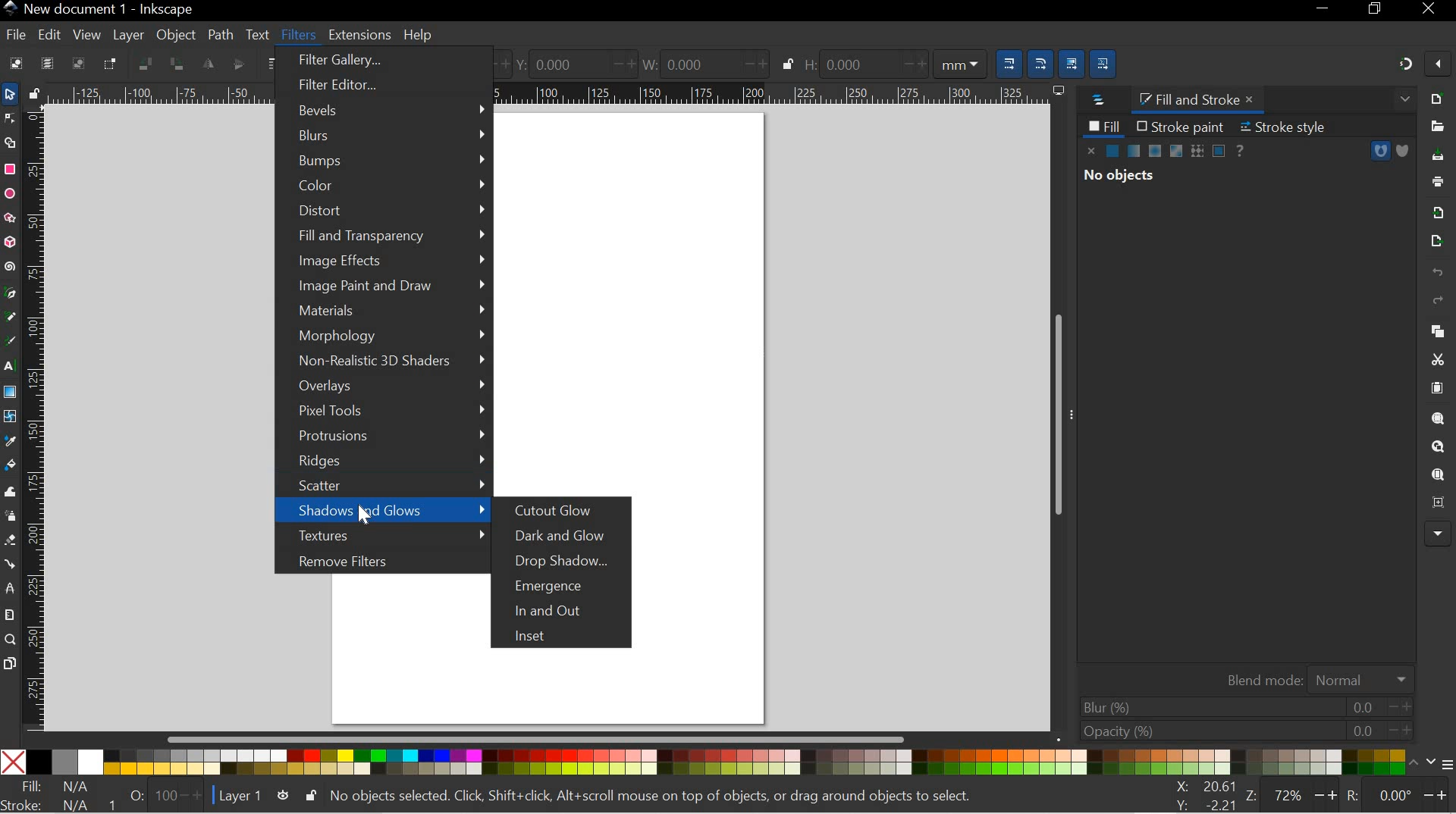 This screenshot has height=814, width=1456. Describe the element at coordinates (1096, 101) in the screenshot. I see `LAYERS AND OBJECTS` at that location.